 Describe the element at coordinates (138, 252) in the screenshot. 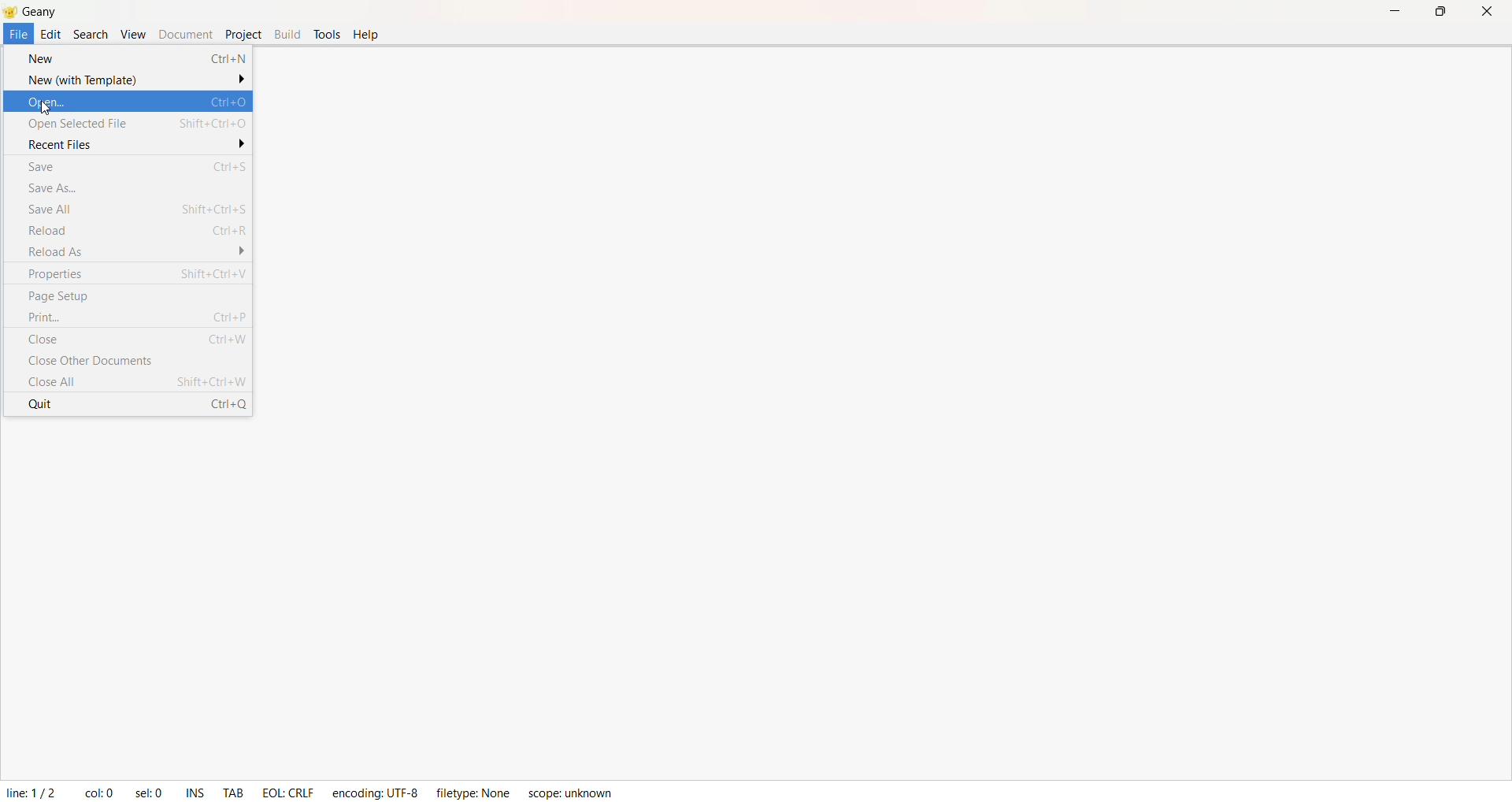

I see `Reload As` at that location.